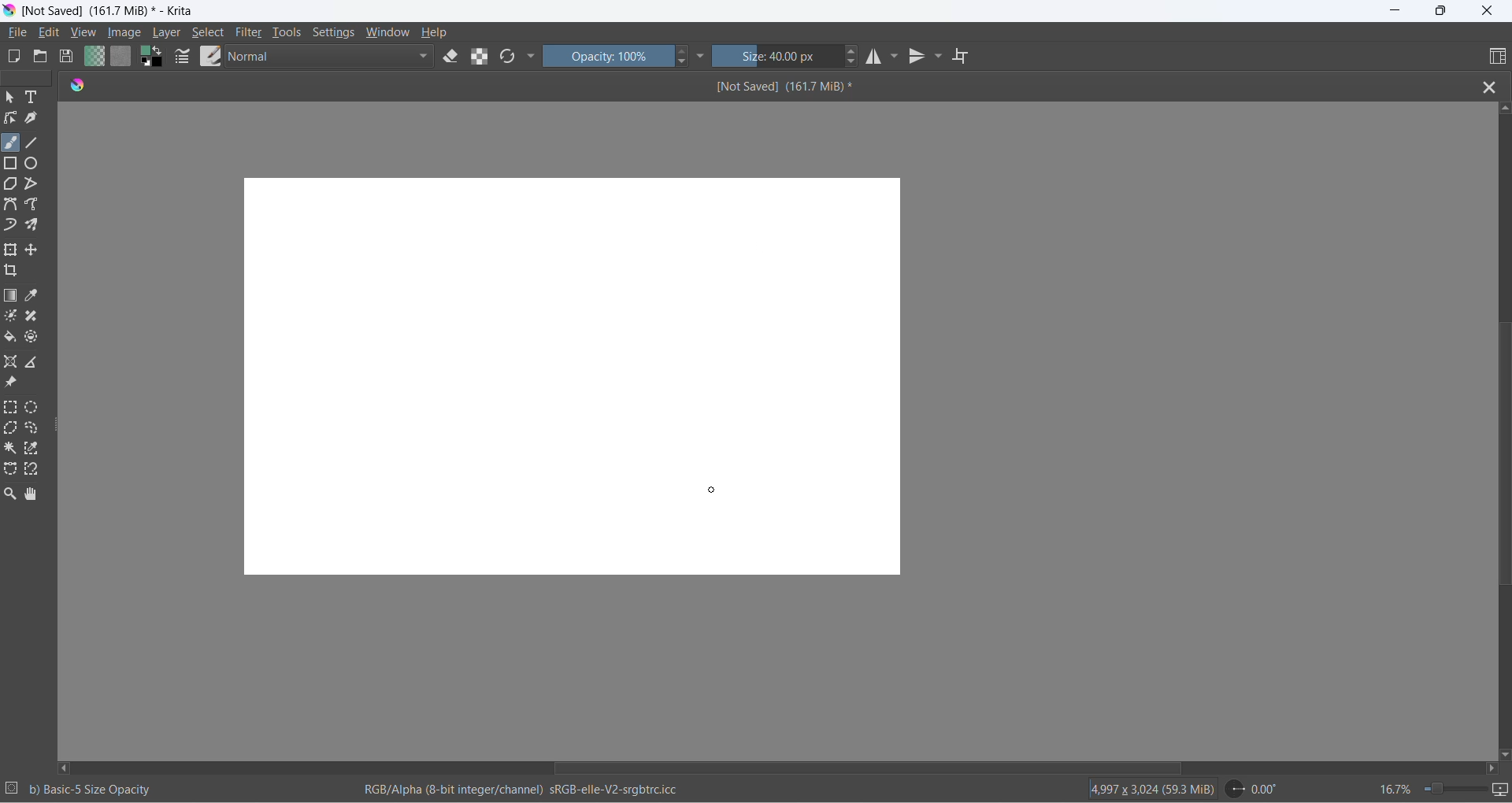 This screenshot has height=803, width=1512. Describe the element at coordinates (857, 62) in the screenshot. I see `decrement size` at that location.